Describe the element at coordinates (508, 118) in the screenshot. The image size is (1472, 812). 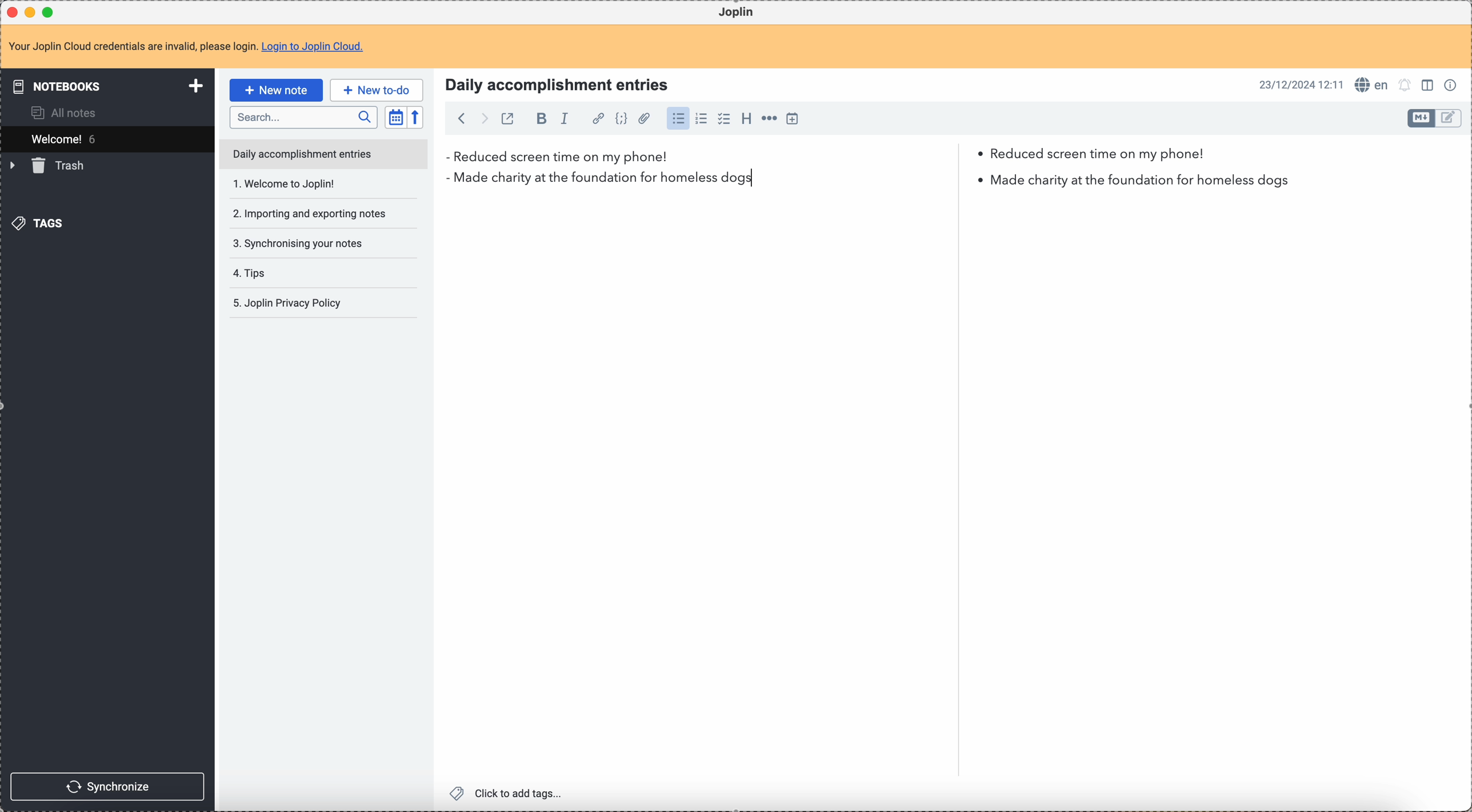
I see `toggle external editing` at that location.